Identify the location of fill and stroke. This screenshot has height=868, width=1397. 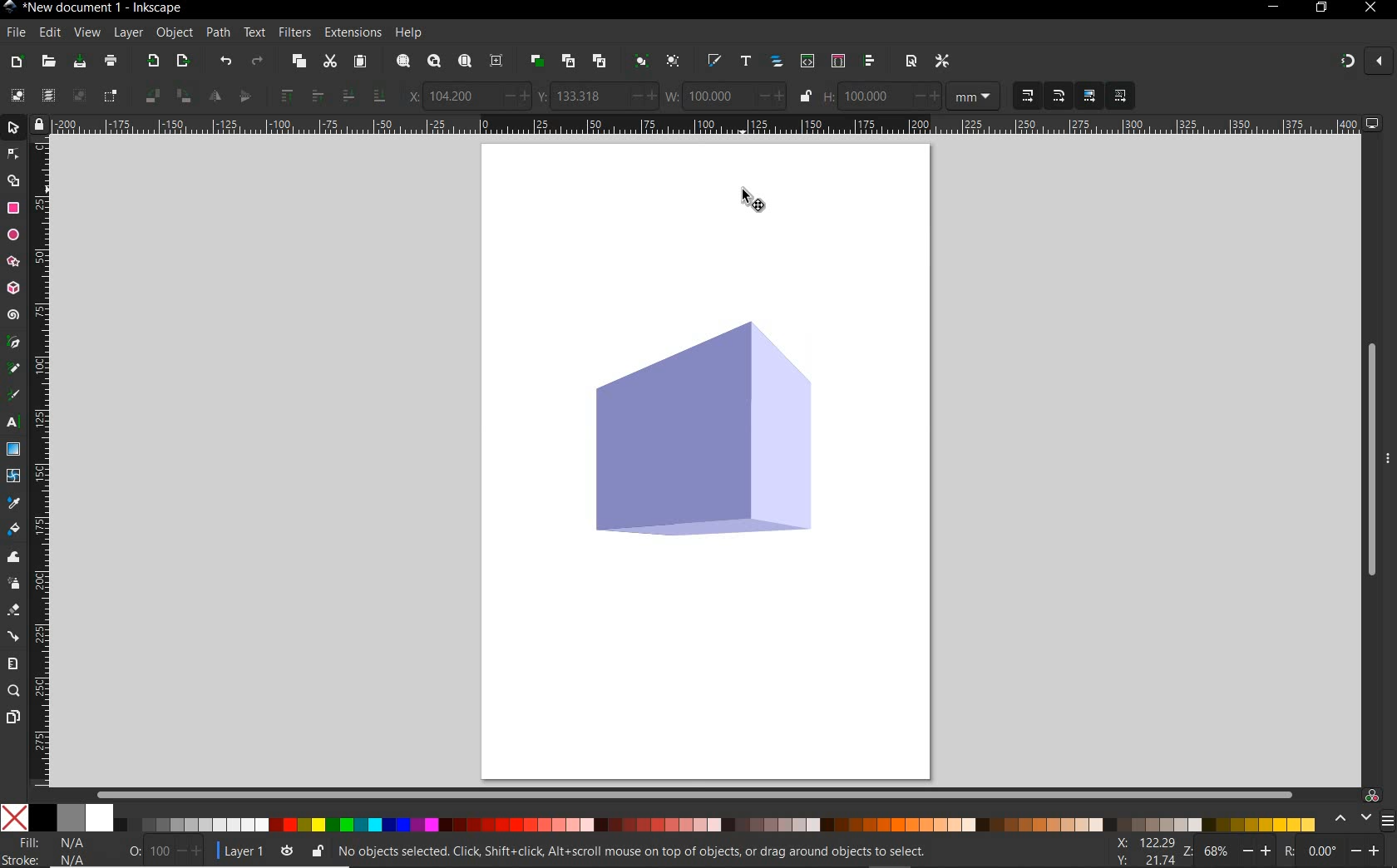
(49, 851).